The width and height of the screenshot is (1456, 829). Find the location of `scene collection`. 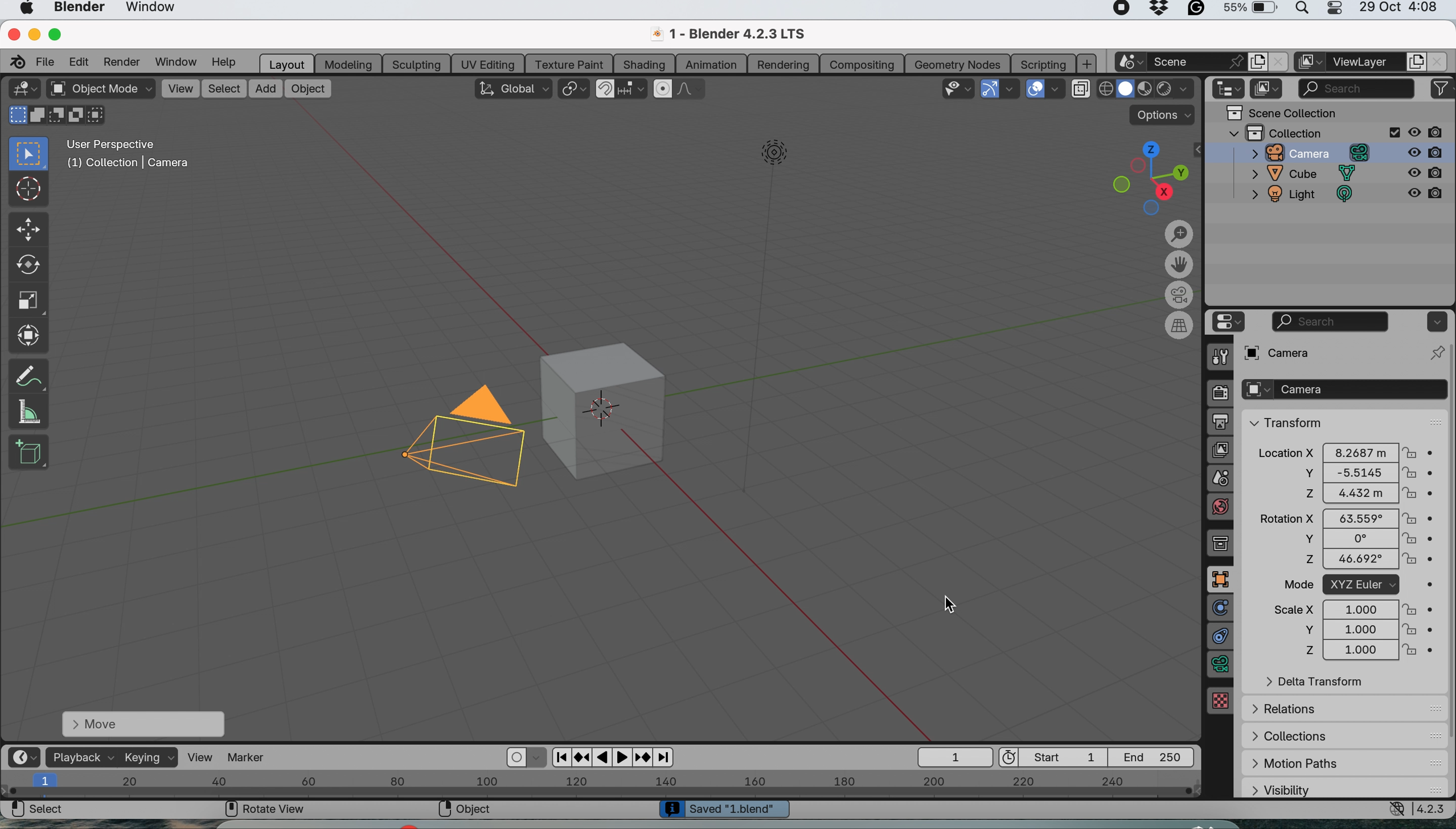

scene collection is located at coordinates (1282, 113).